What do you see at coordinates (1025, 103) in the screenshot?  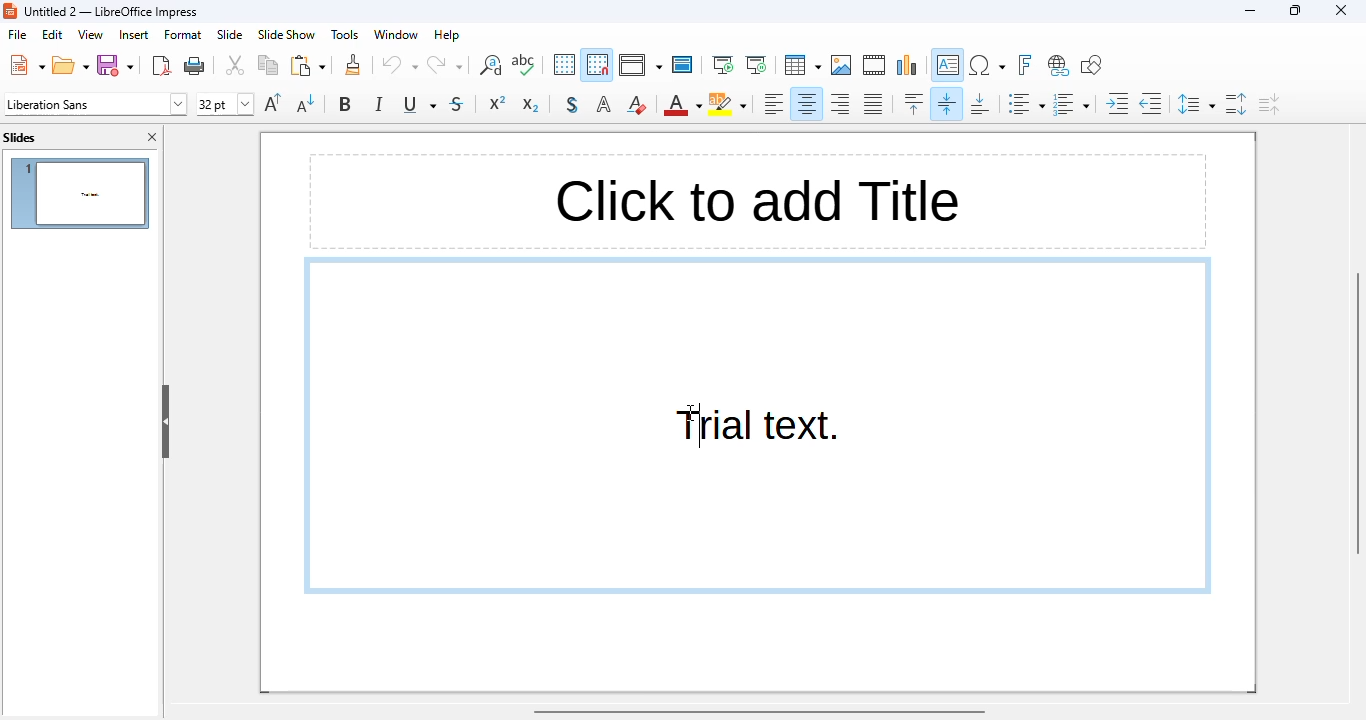 I see `toggle unordered list` at bounding box center [1025, 103].